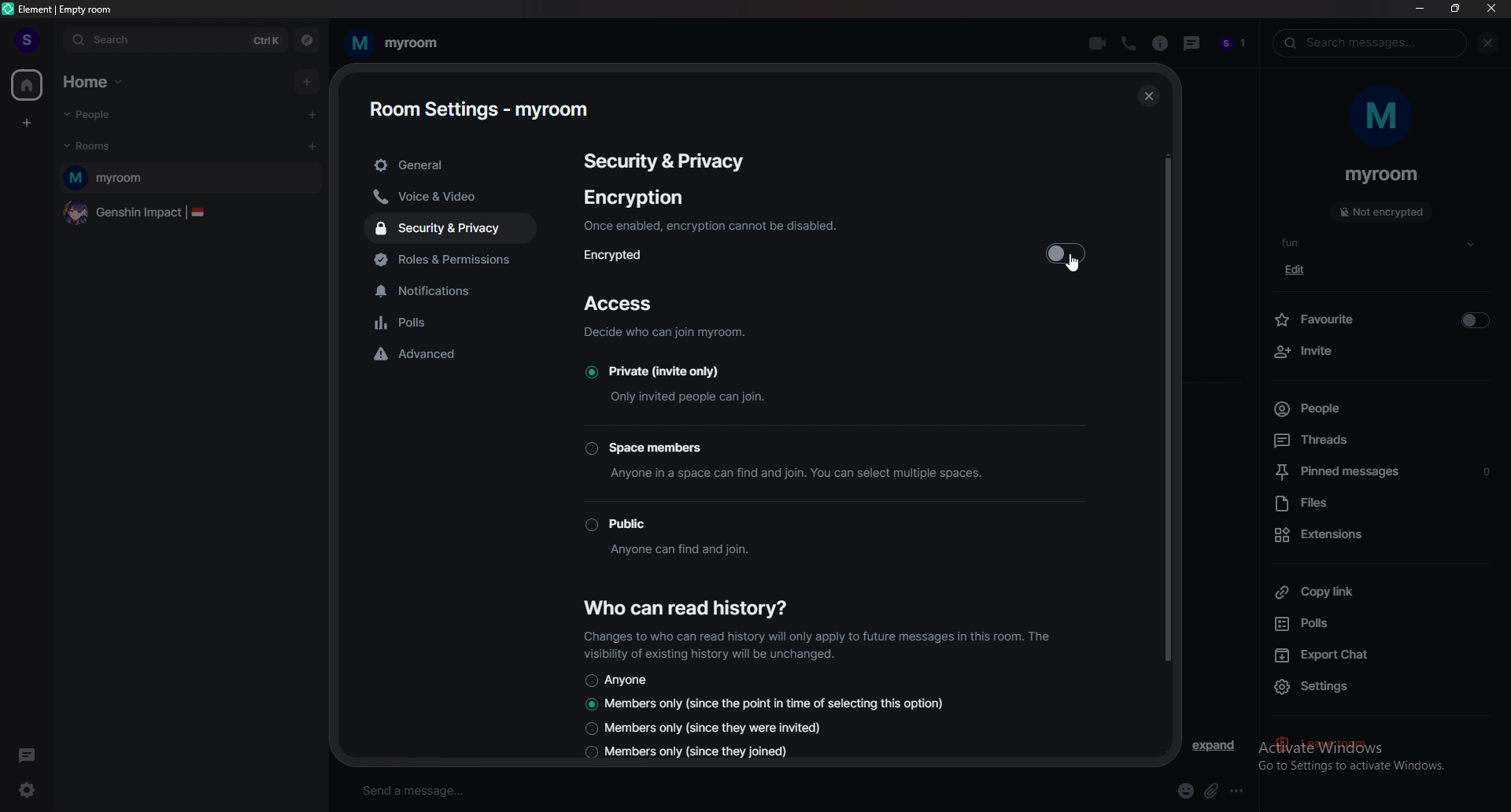 This screenshot has height=812, width=1511. I want to click on not encrypted, so click(1382, 212).